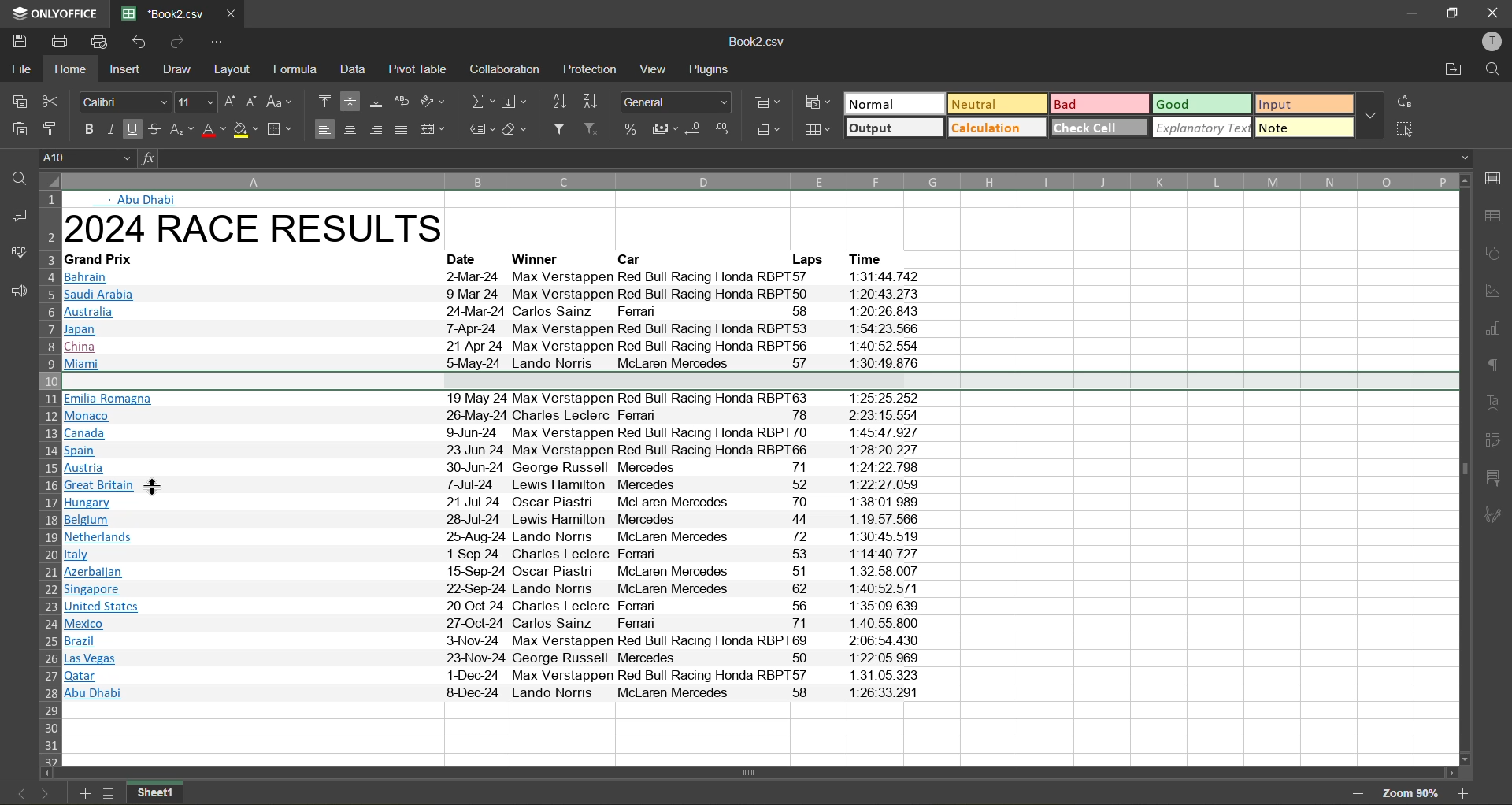 This screenshot has height=805, width=1512. What do you see at coordinates (246, 131) in the screenshot?
I see `fill color` at bounding box center [246, 131].